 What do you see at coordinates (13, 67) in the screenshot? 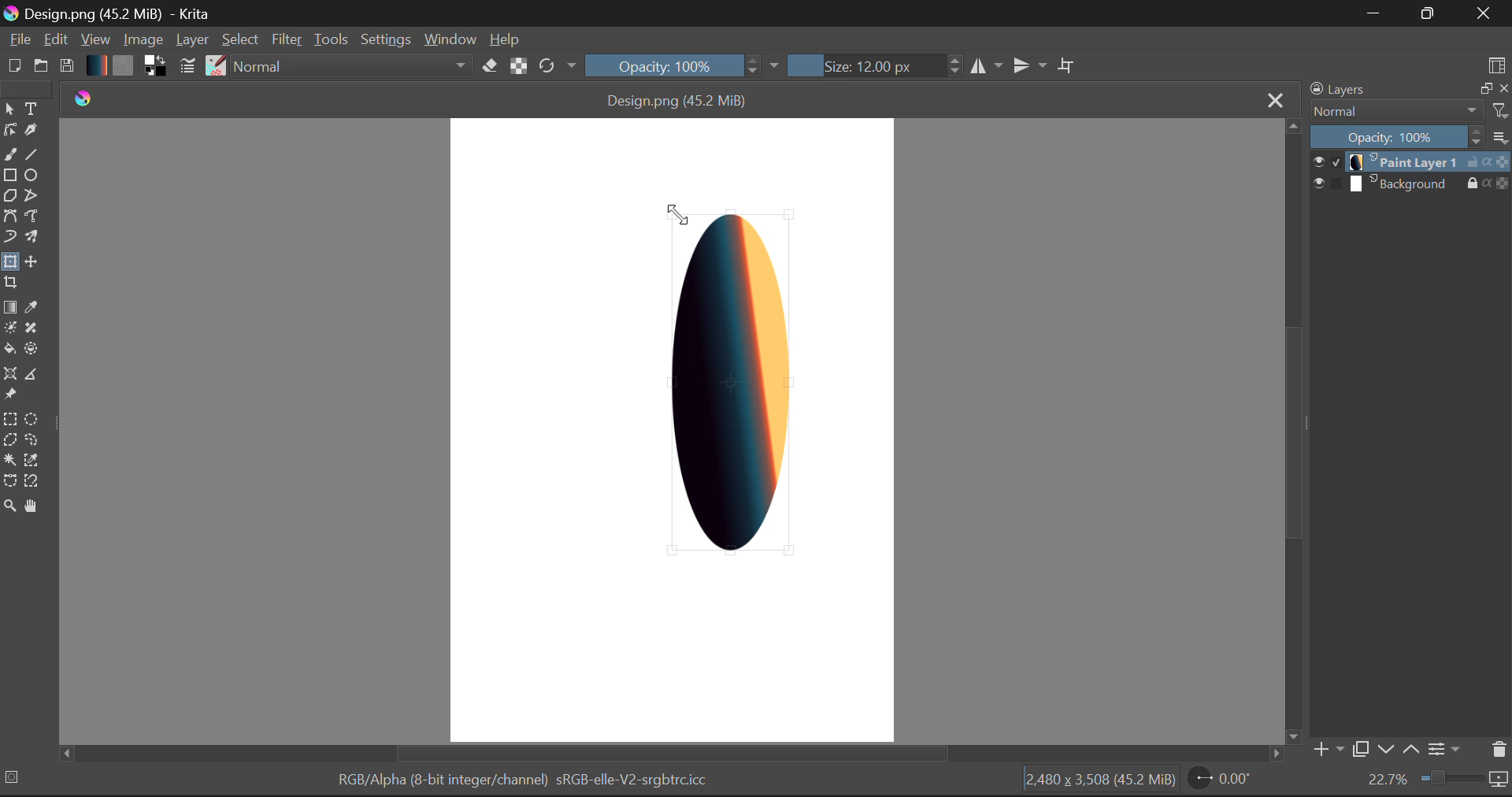
I see `New` at bounding box center [13, 67].